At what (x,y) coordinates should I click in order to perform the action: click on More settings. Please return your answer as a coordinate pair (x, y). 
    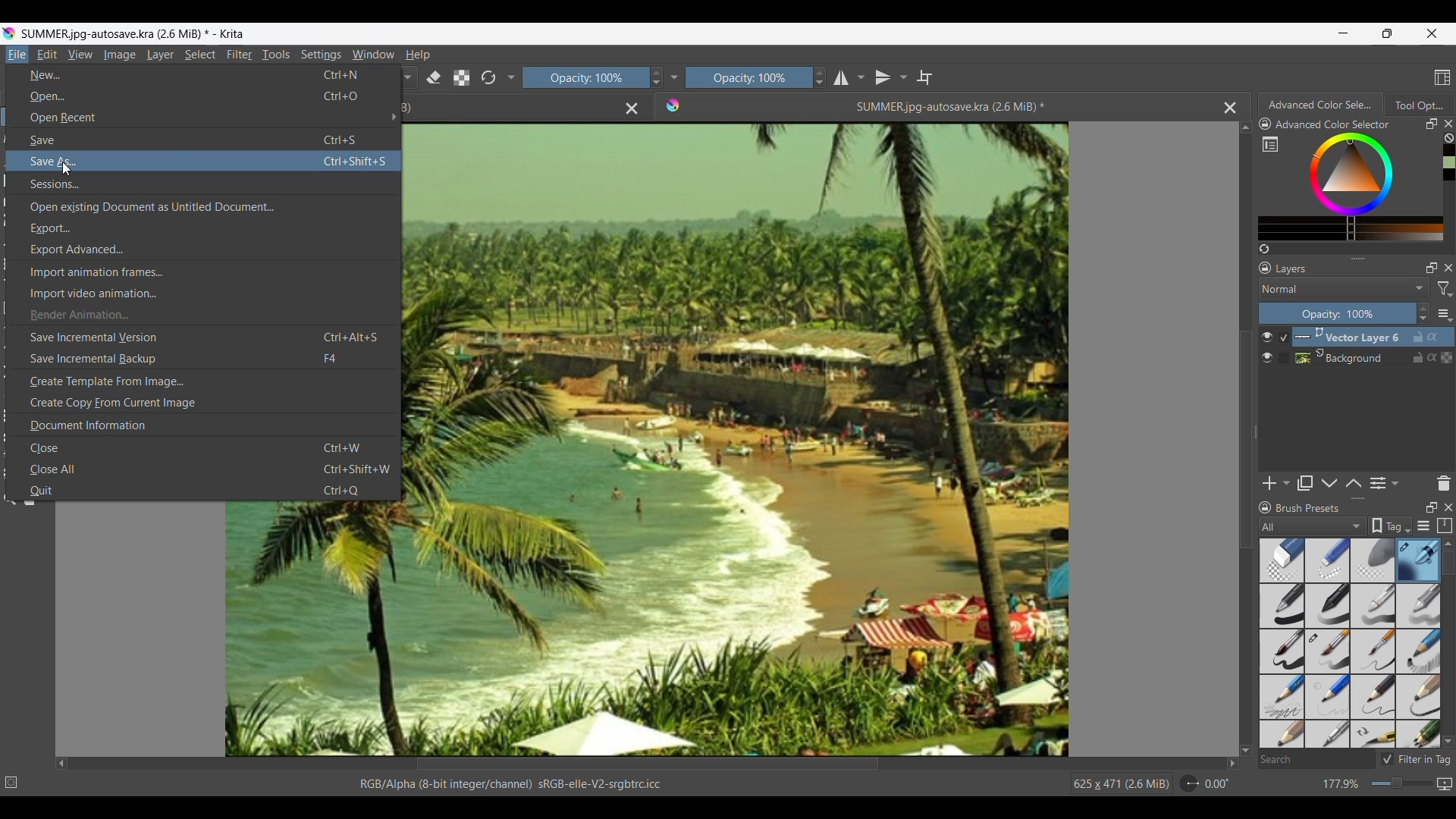
    Looking at the image, I should click on (1445, 314).